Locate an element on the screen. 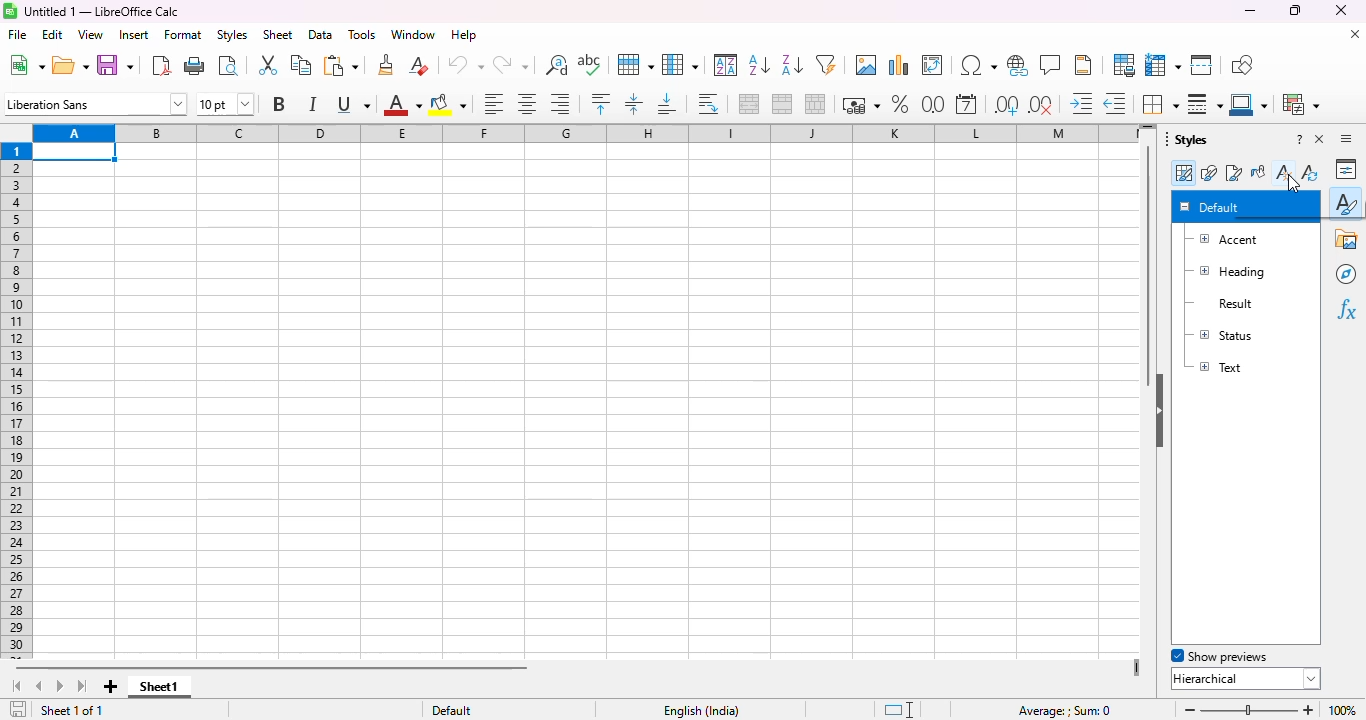  define print area is located at coordinates (1124, 65).